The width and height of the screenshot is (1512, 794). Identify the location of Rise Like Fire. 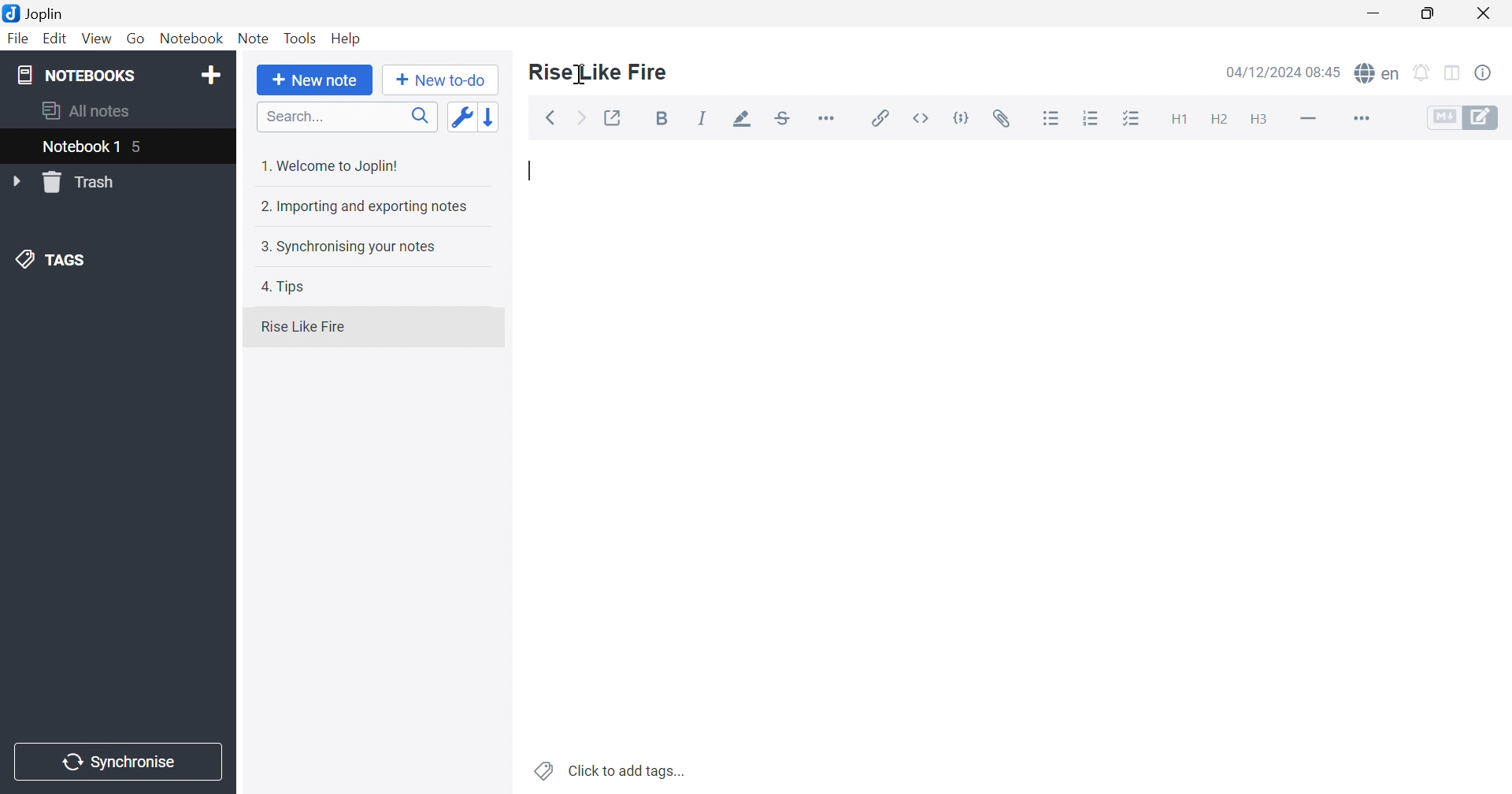
(595, 72).